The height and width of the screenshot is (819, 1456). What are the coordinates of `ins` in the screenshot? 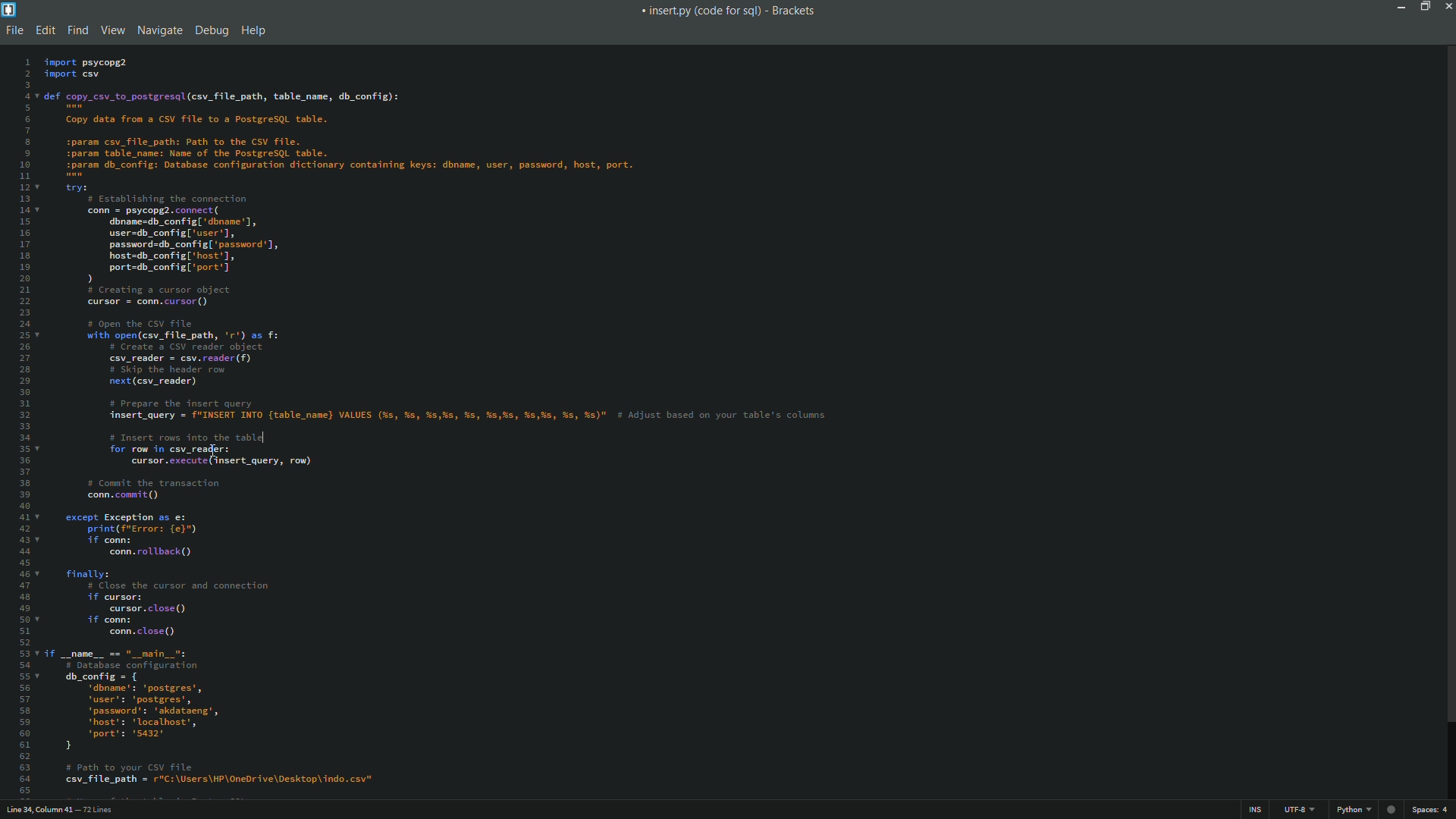 It's located at (1257, 811).